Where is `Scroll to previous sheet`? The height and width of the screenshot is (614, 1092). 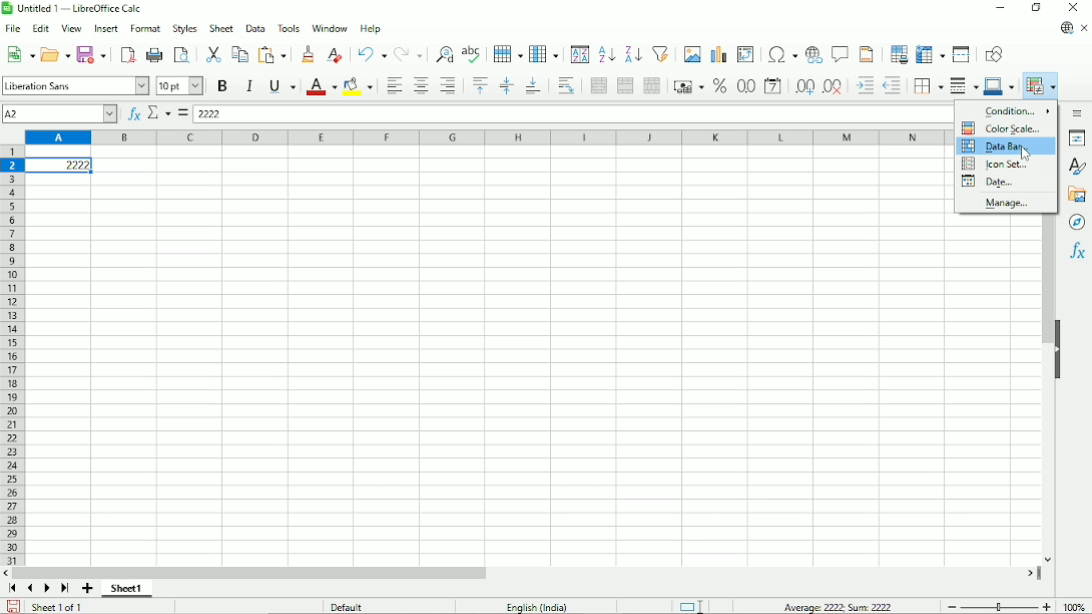 Scroll to previous sheet is located at coordinates (31, 589).